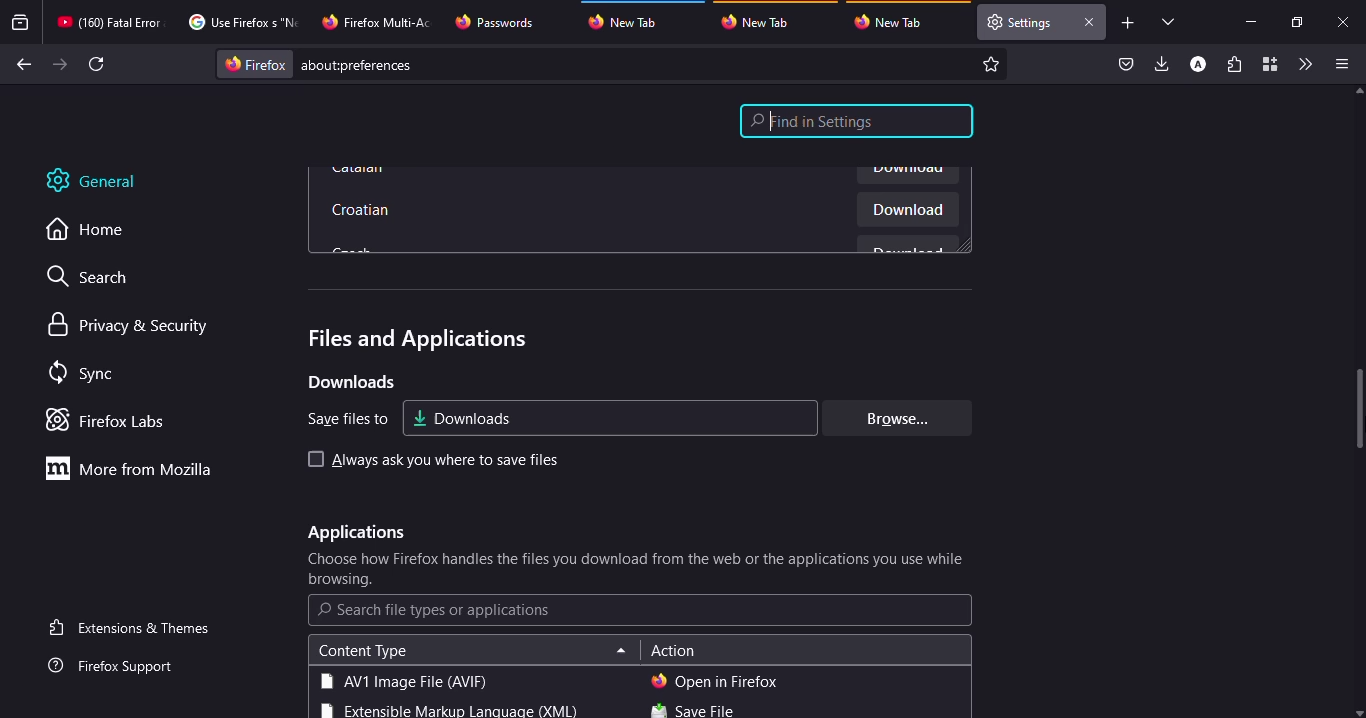 Image resolution: width=1366 pixels, height=718 pixels. What do you see at coordinates (1268, 65) in the screenshot?
I see `container` at bounding box center [1268, 65].